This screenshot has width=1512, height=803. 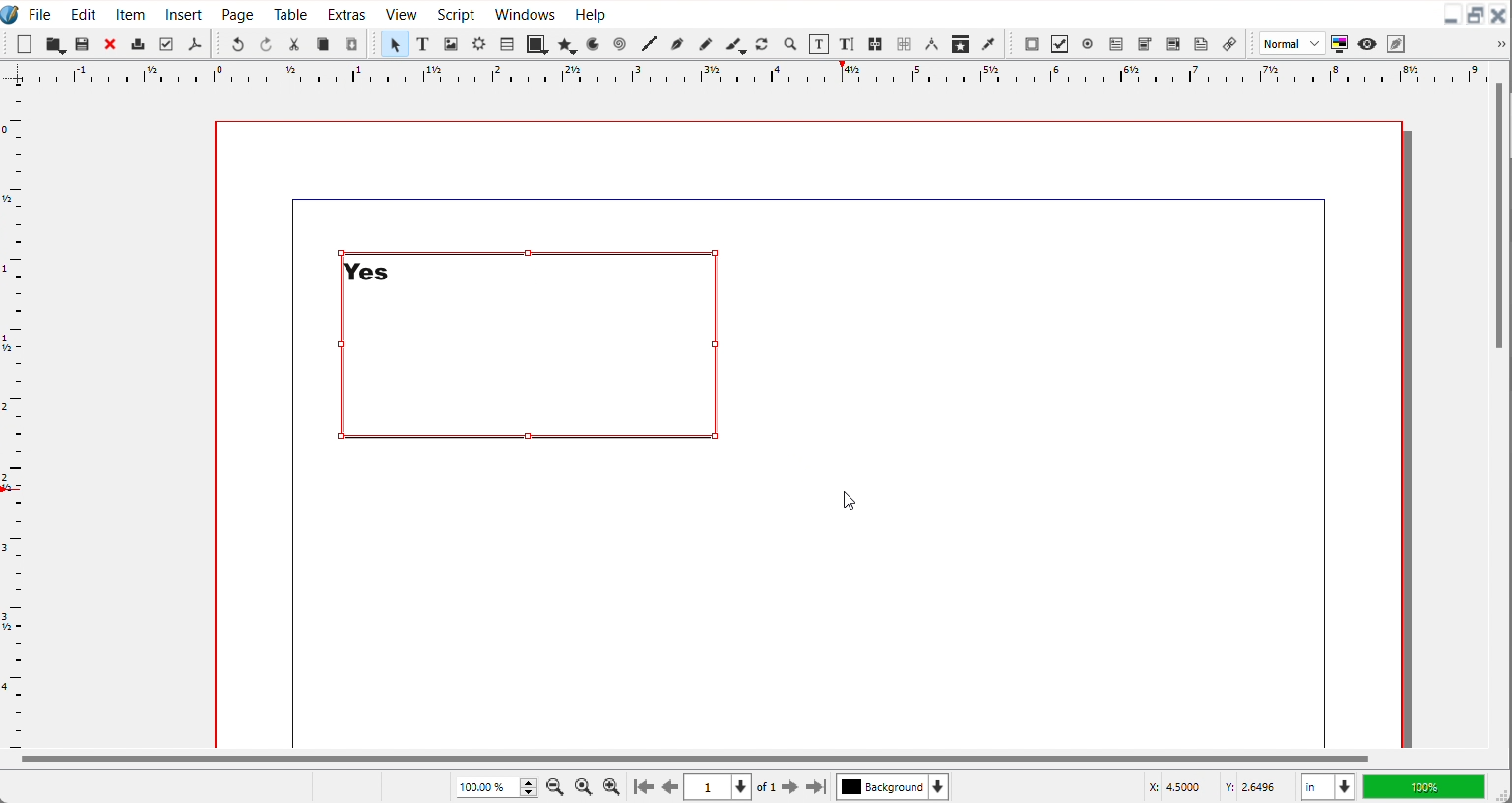 What do you see at coordinates (1174, 44) in the screenshot?
I see `PDF List box` at bounding box center [1174, 44].